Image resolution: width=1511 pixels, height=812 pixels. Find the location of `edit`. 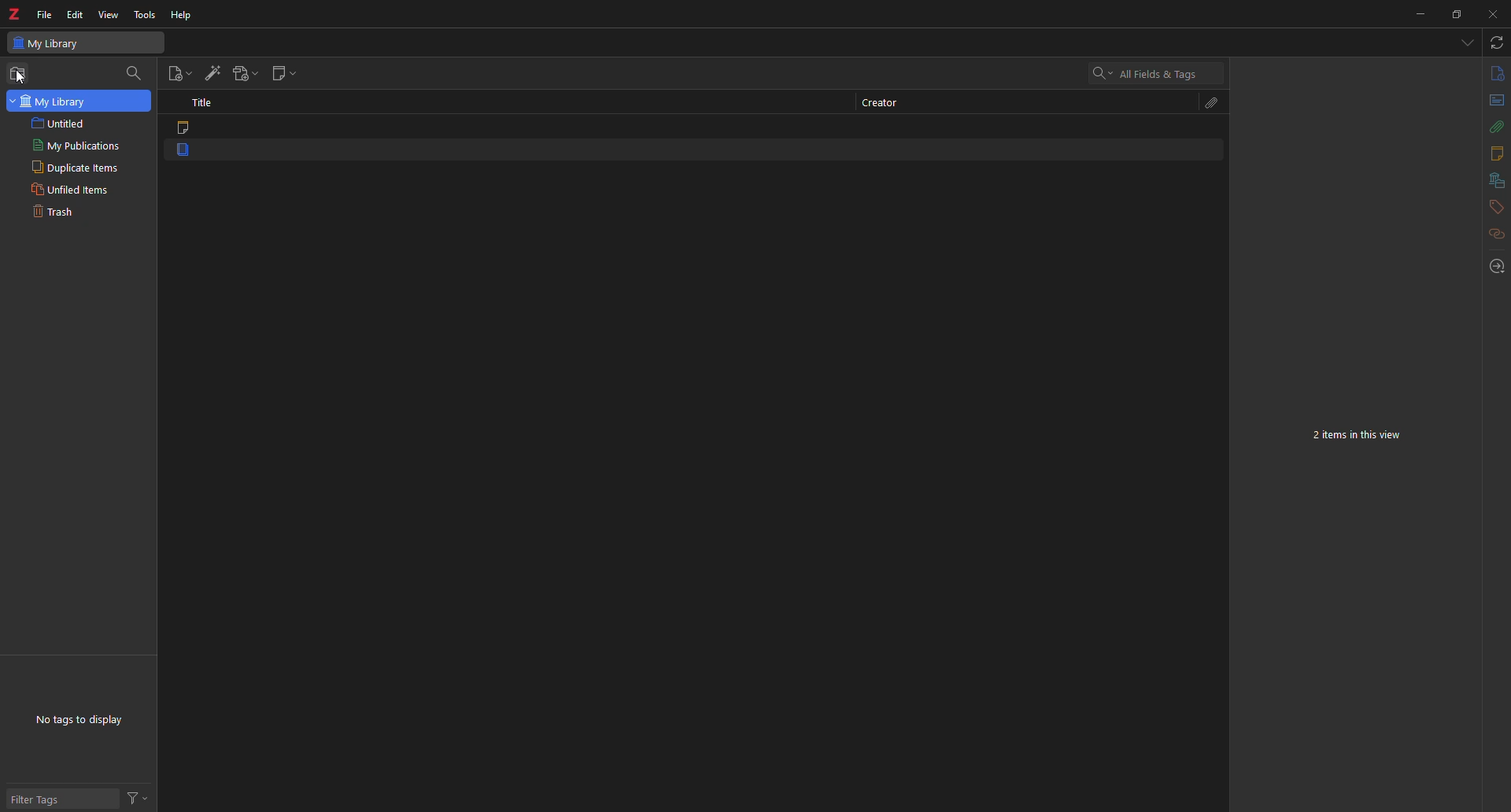

edit is located at coordinates (74, 14).